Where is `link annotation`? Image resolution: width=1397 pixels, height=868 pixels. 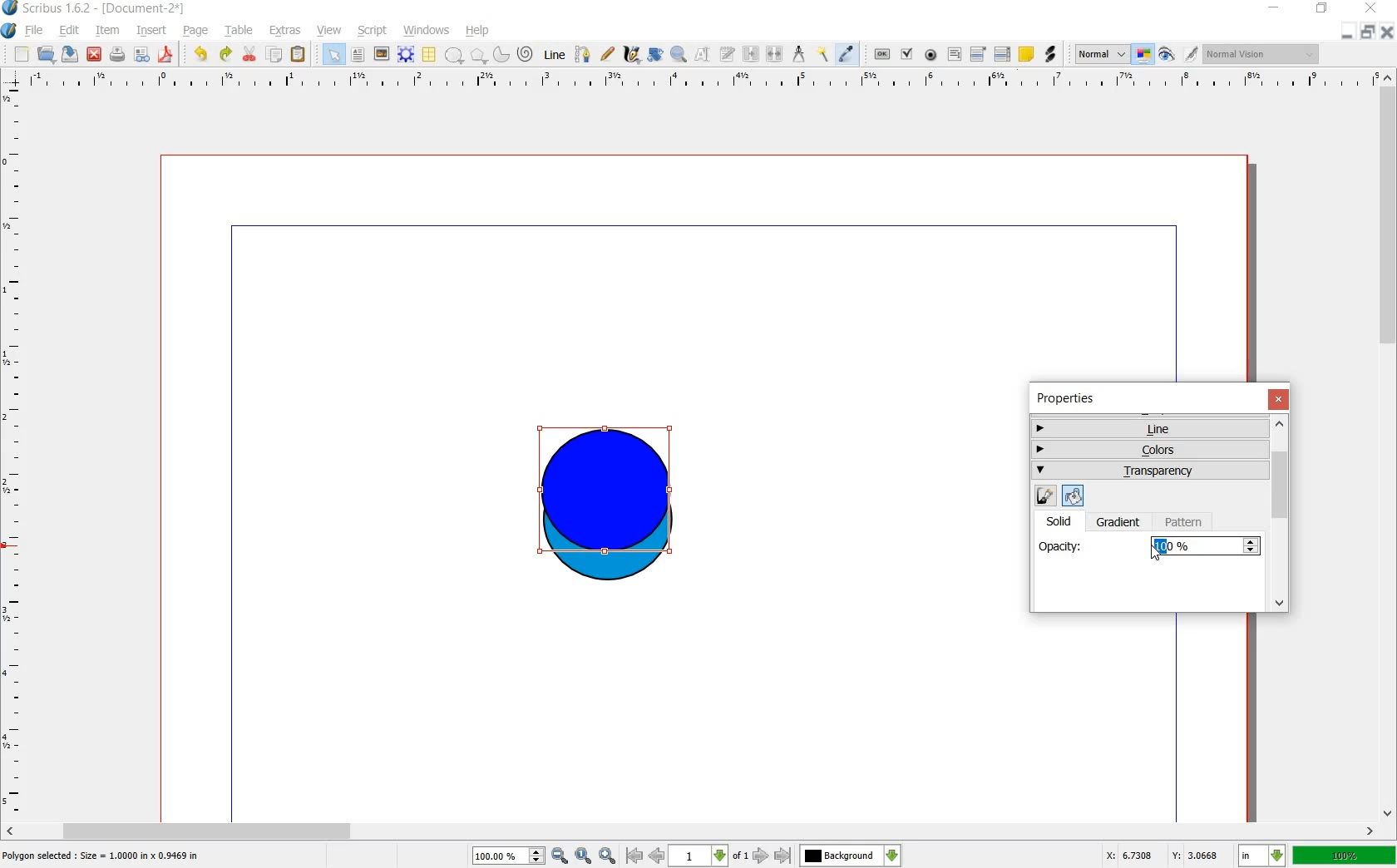
link annotation is located at coordinates (1050, 53).